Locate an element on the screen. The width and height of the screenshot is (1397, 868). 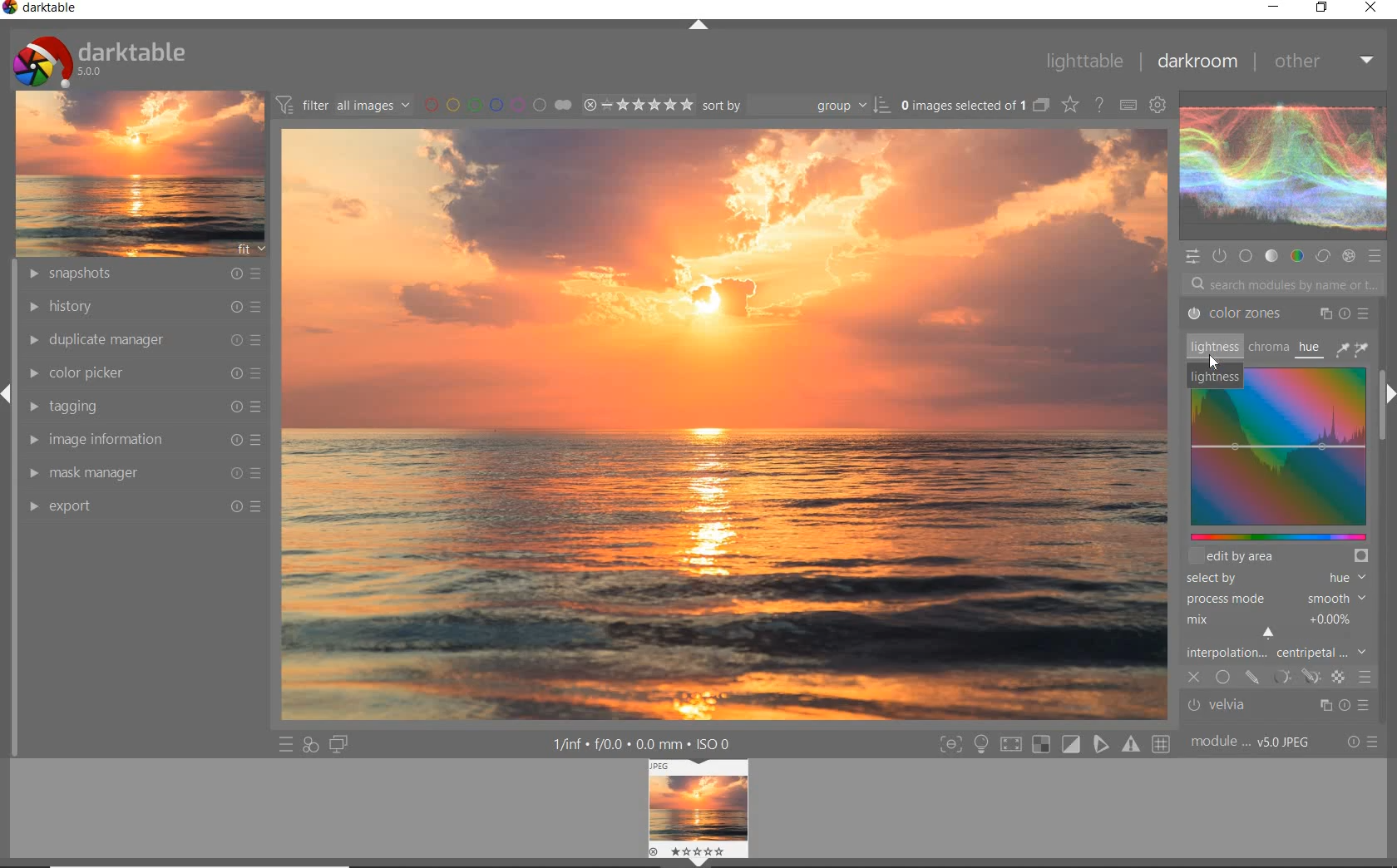
RESET OR PRESET &PREFERENCE is located at coordinates (1363, 742).